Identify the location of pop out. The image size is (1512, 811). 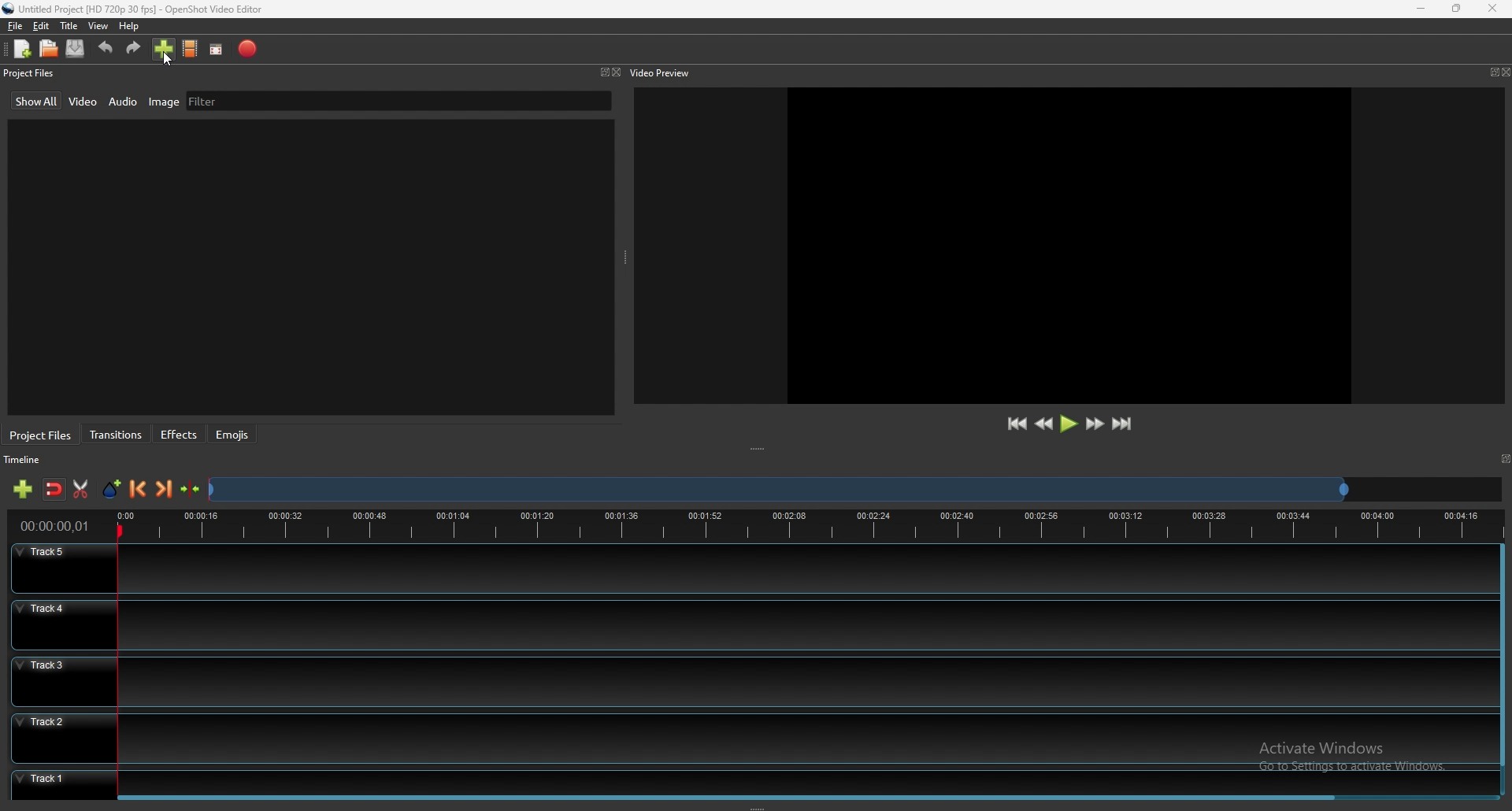
(1492, 72).